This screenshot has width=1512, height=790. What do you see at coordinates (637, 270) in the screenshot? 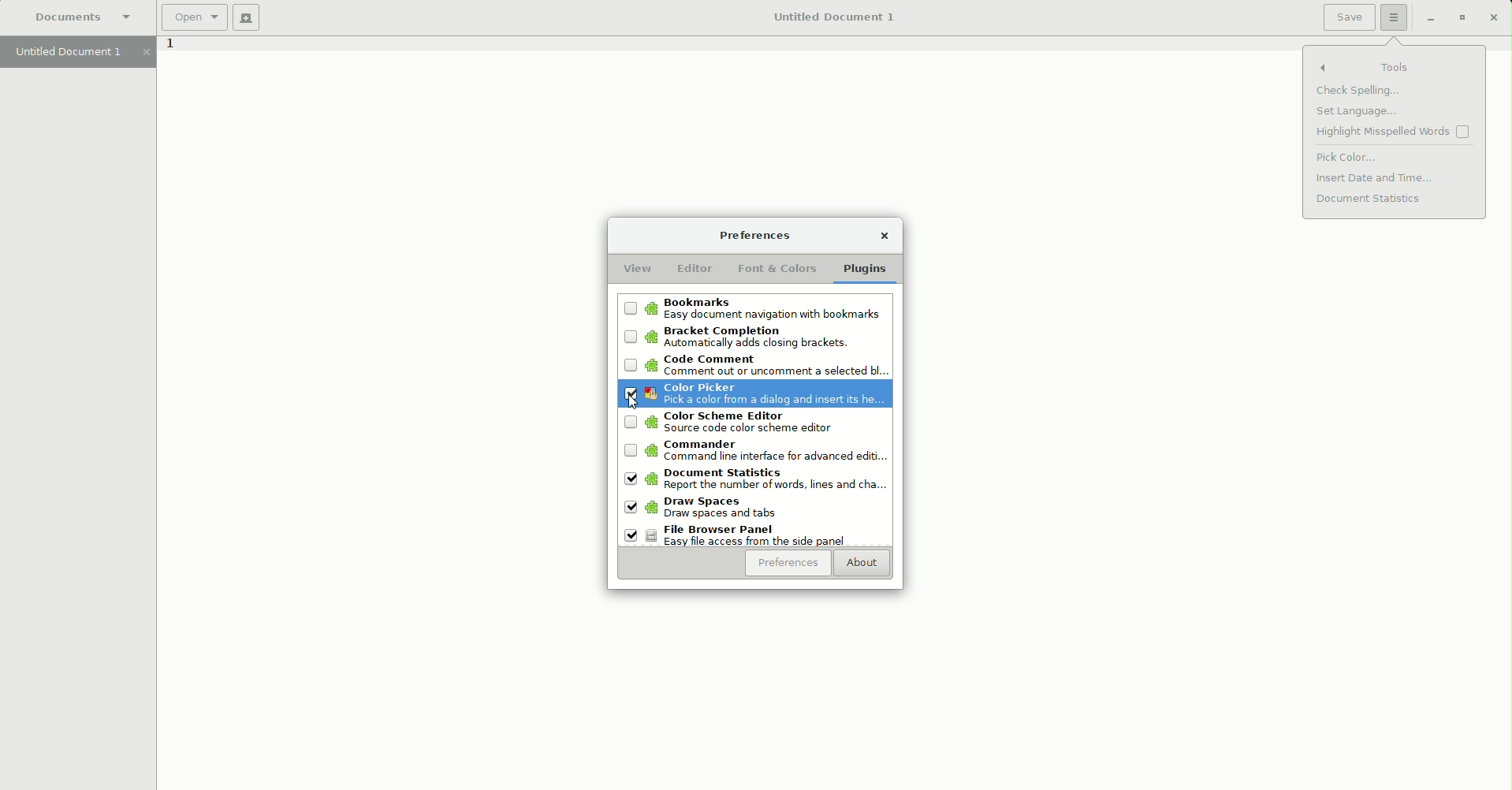
I see `View` at bounding box center [637, 270].